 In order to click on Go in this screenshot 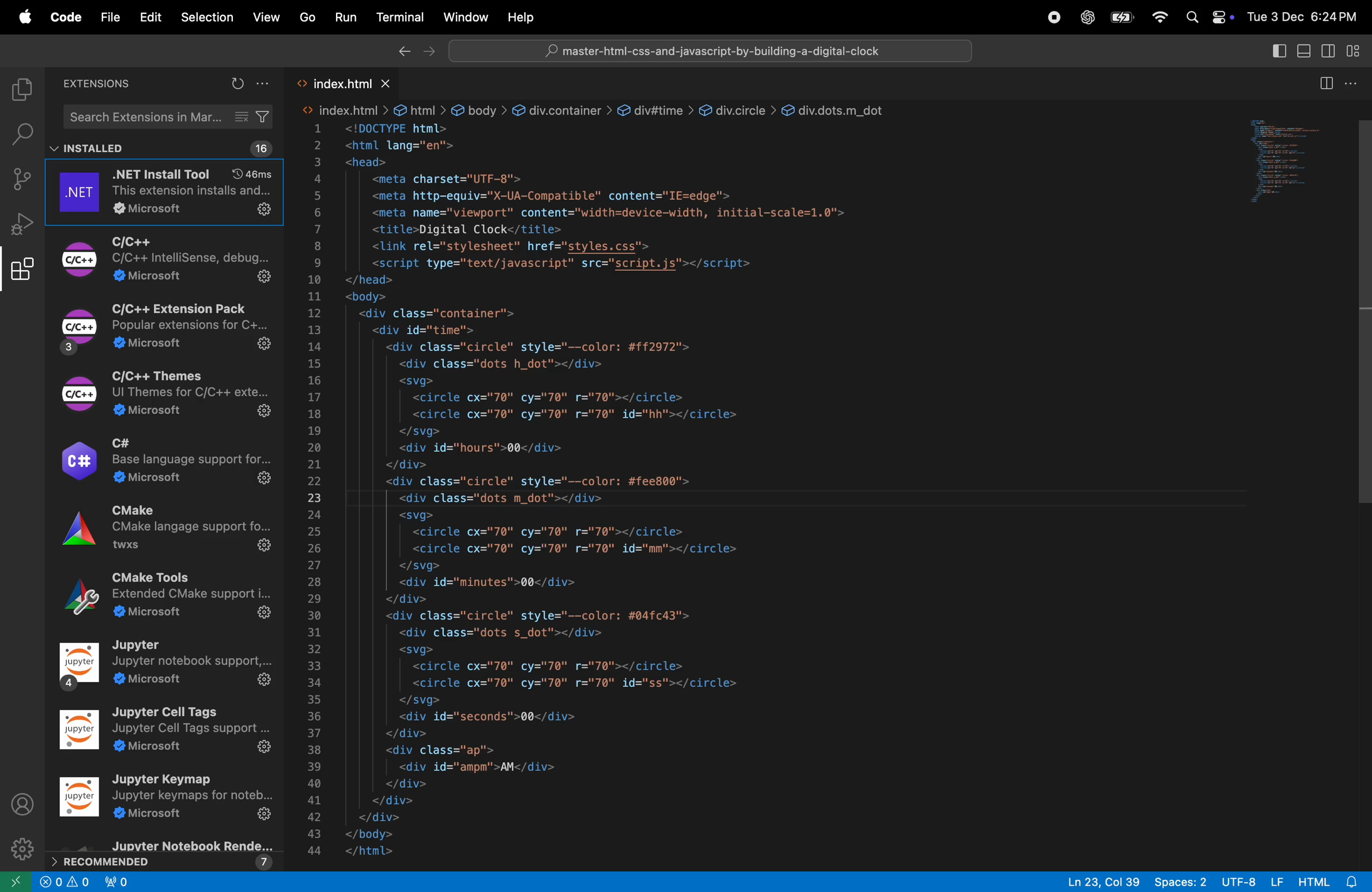, I will do `click(308, 18)`.